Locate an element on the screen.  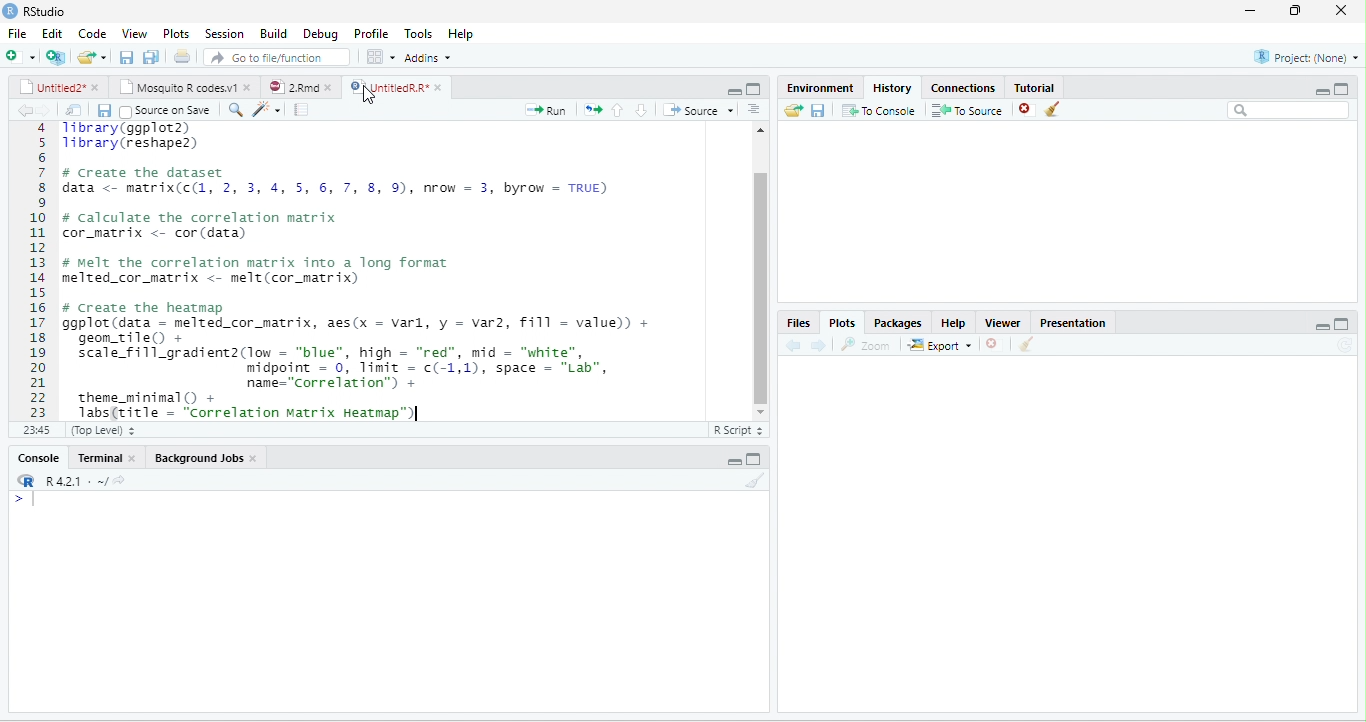
viewer is located at coordinates (1001, 320).